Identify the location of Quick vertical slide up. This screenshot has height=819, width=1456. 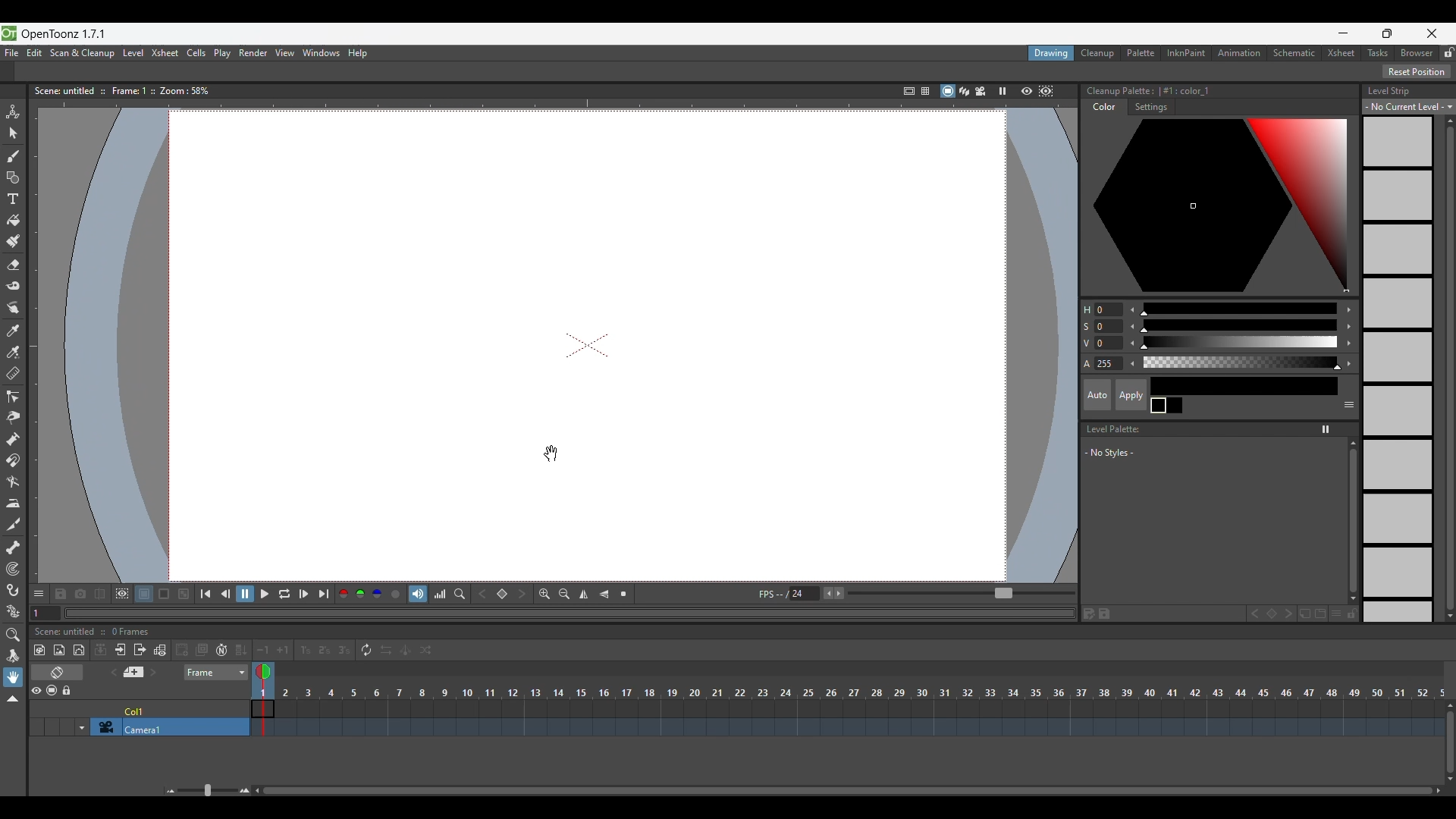
(1450, 120).